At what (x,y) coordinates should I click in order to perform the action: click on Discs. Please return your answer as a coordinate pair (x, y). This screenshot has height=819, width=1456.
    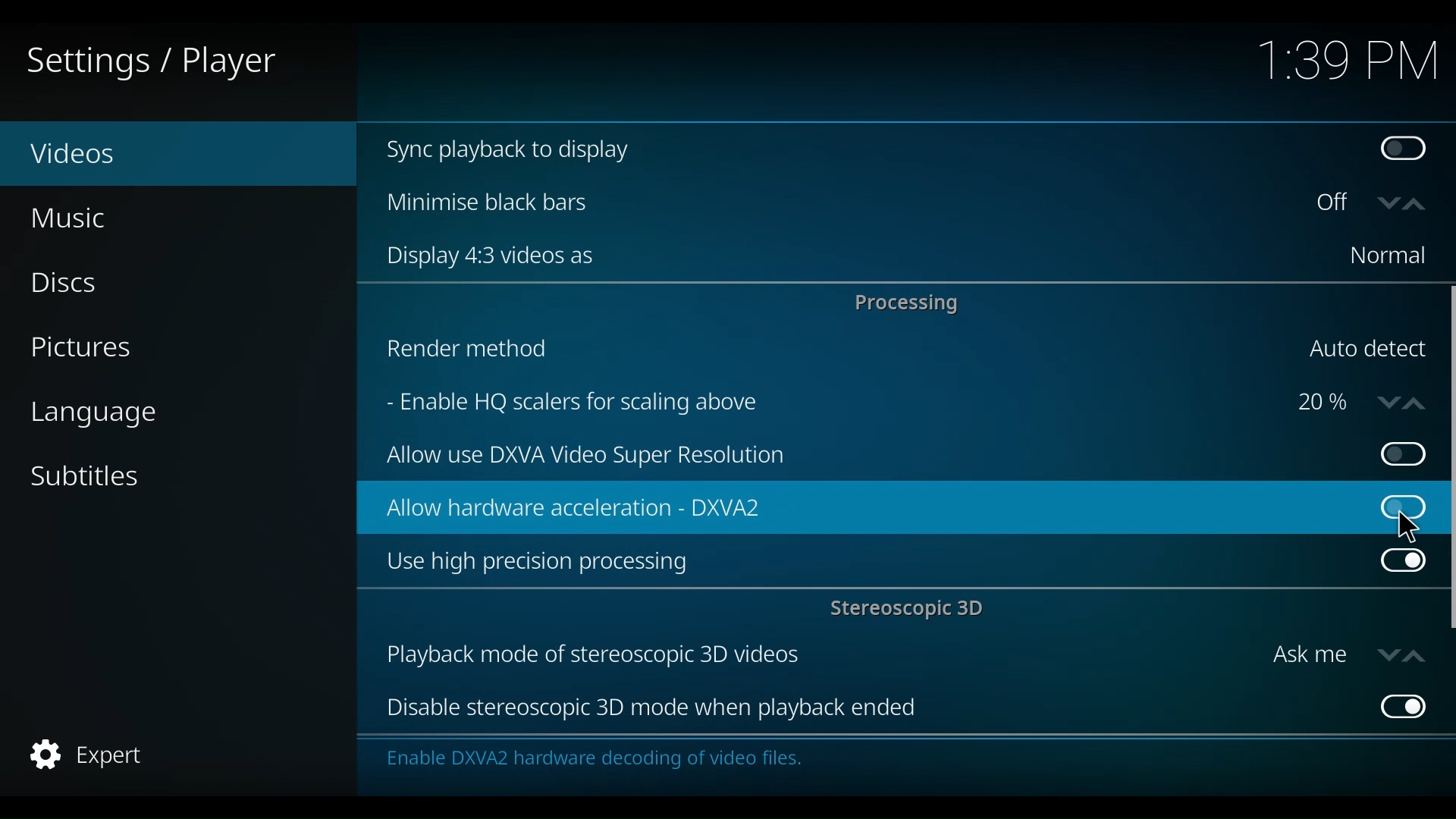
    Looking at the image, I should click on (74, 284).